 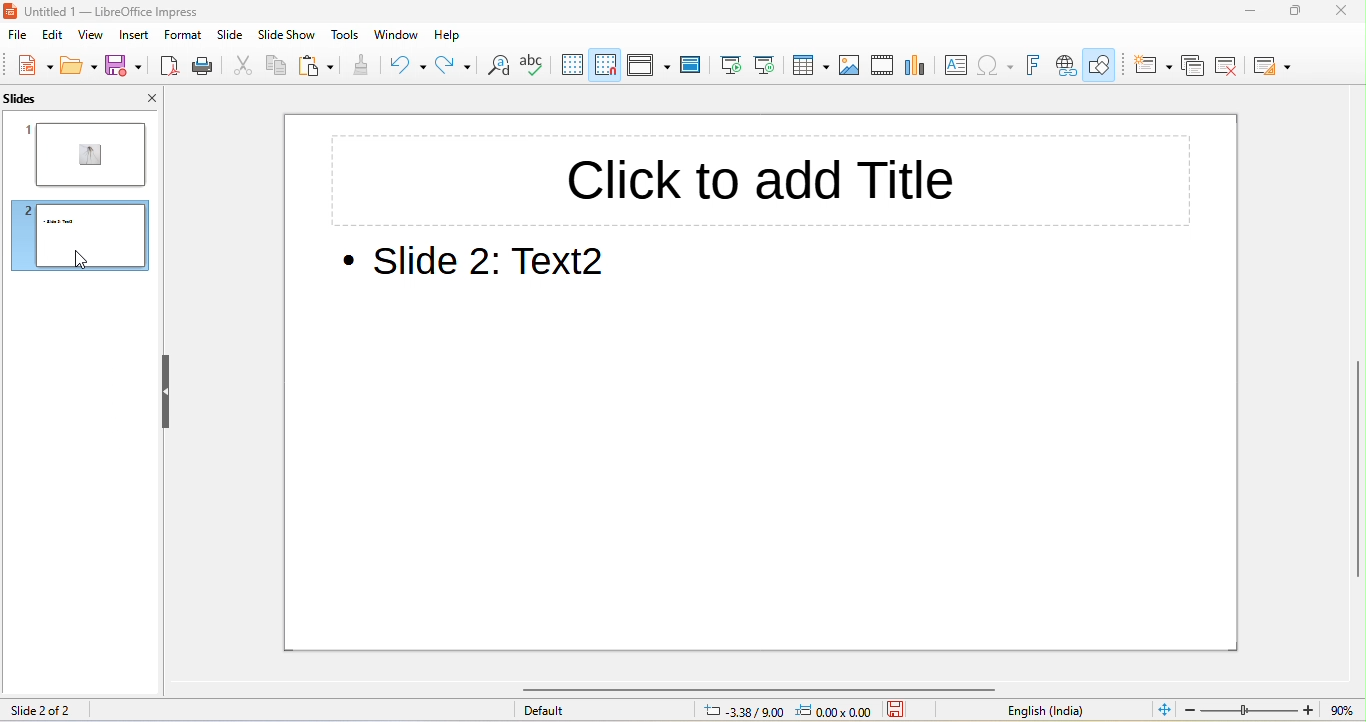 I want to click on display grid, so click(x=576, y=66).